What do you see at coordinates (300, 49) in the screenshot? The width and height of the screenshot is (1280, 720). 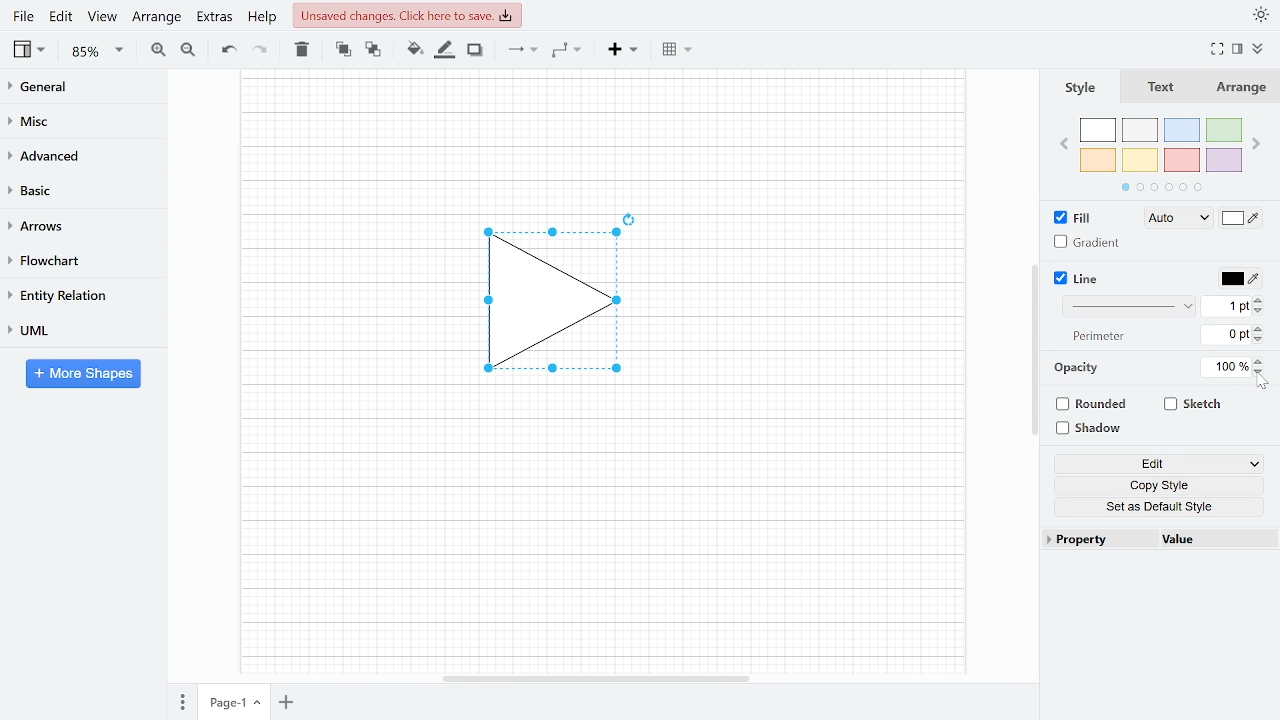 I see `Delete` at bounding box center [300, 49].